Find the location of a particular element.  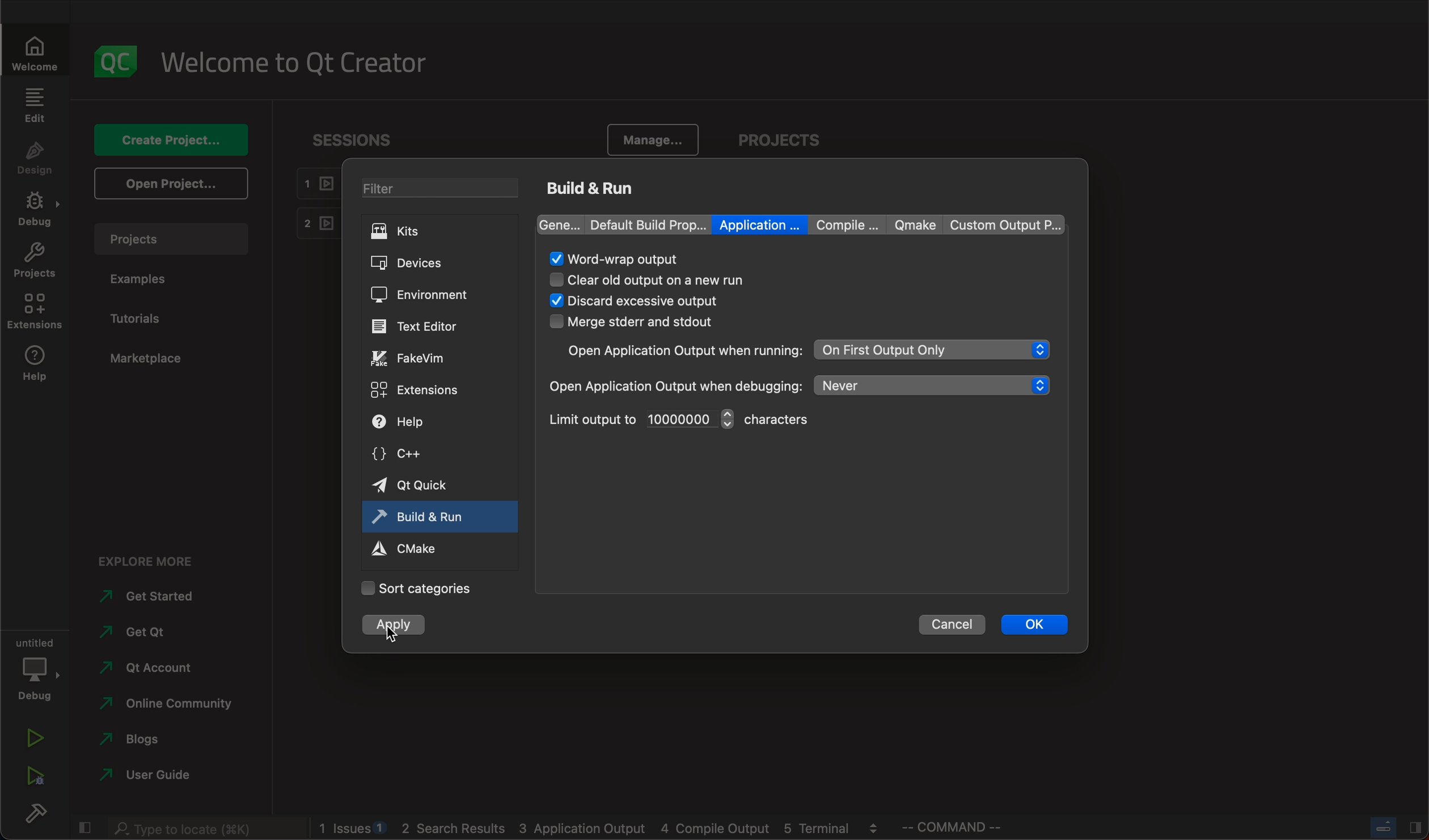

build and run is located at coordinates (594, 187).